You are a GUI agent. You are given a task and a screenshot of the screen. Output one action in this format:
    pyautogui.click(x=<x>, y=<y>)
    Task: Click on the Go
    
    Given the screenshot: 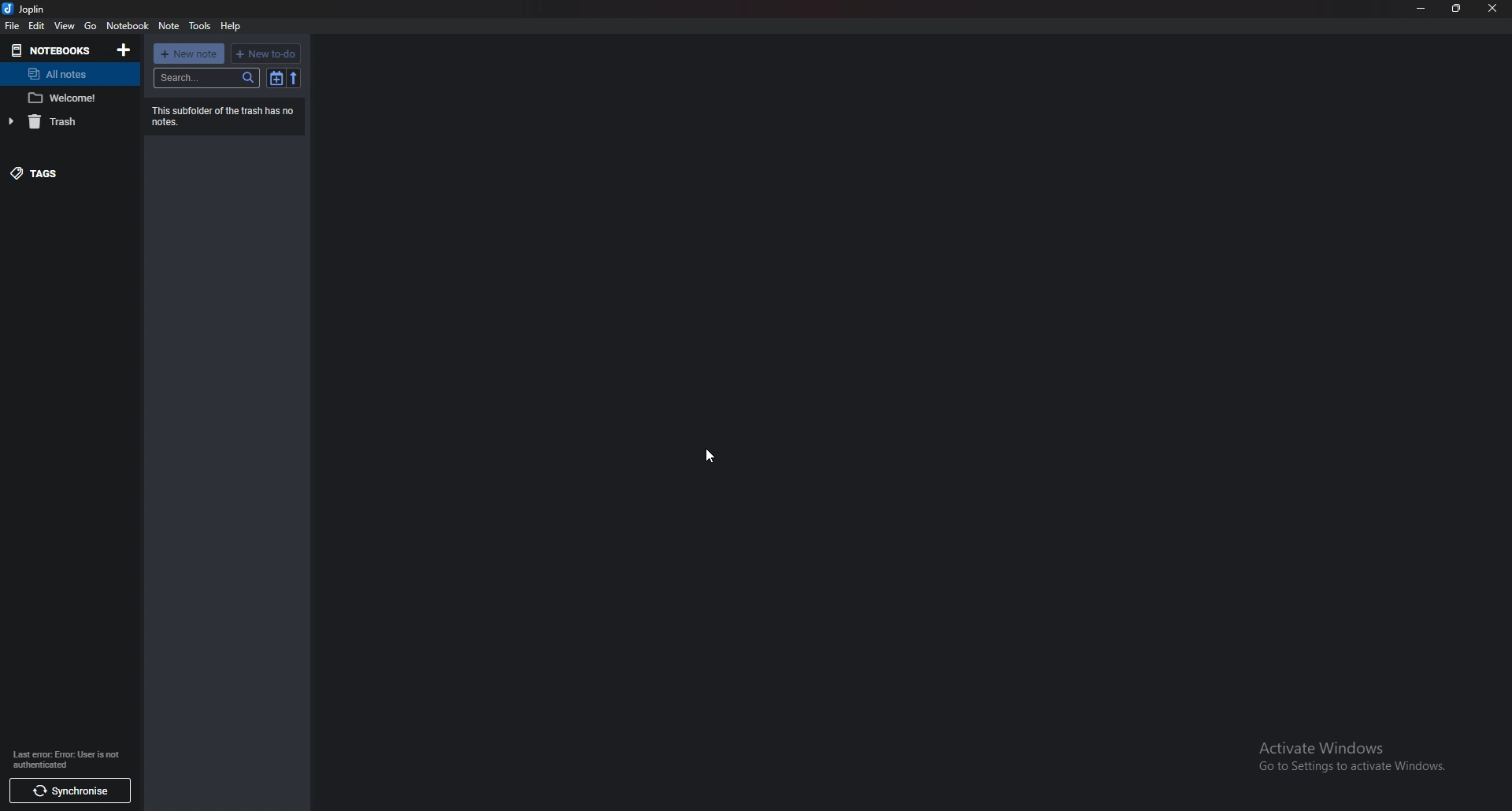 What is the action you would take?
    pyautogui.click(x=91, y=26)
    